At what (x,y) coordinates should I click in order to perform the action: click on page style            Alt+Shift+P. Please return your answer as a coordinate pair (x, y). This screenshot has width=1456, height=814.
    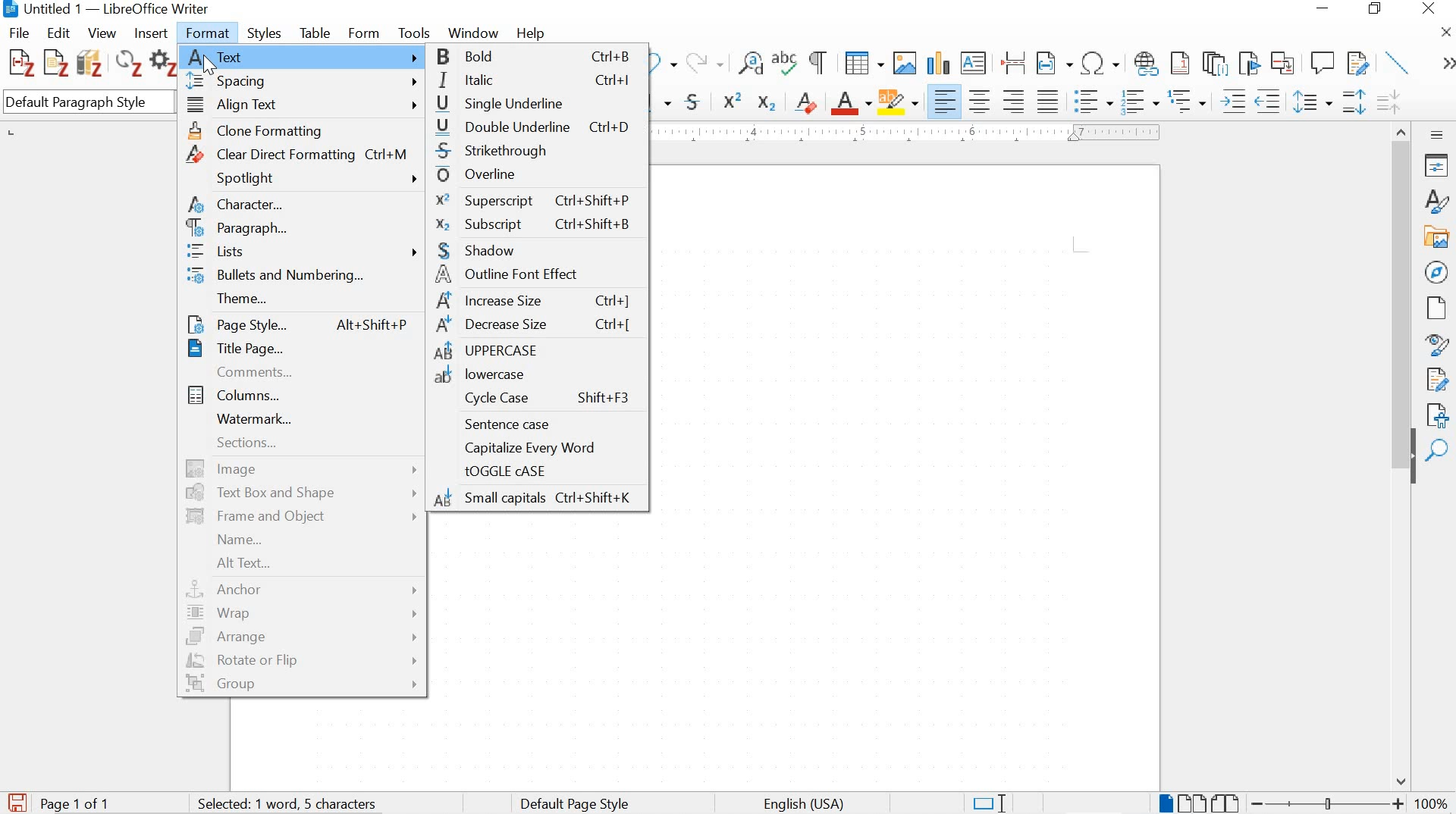
    Looking at the image, I should click on (297, 323).